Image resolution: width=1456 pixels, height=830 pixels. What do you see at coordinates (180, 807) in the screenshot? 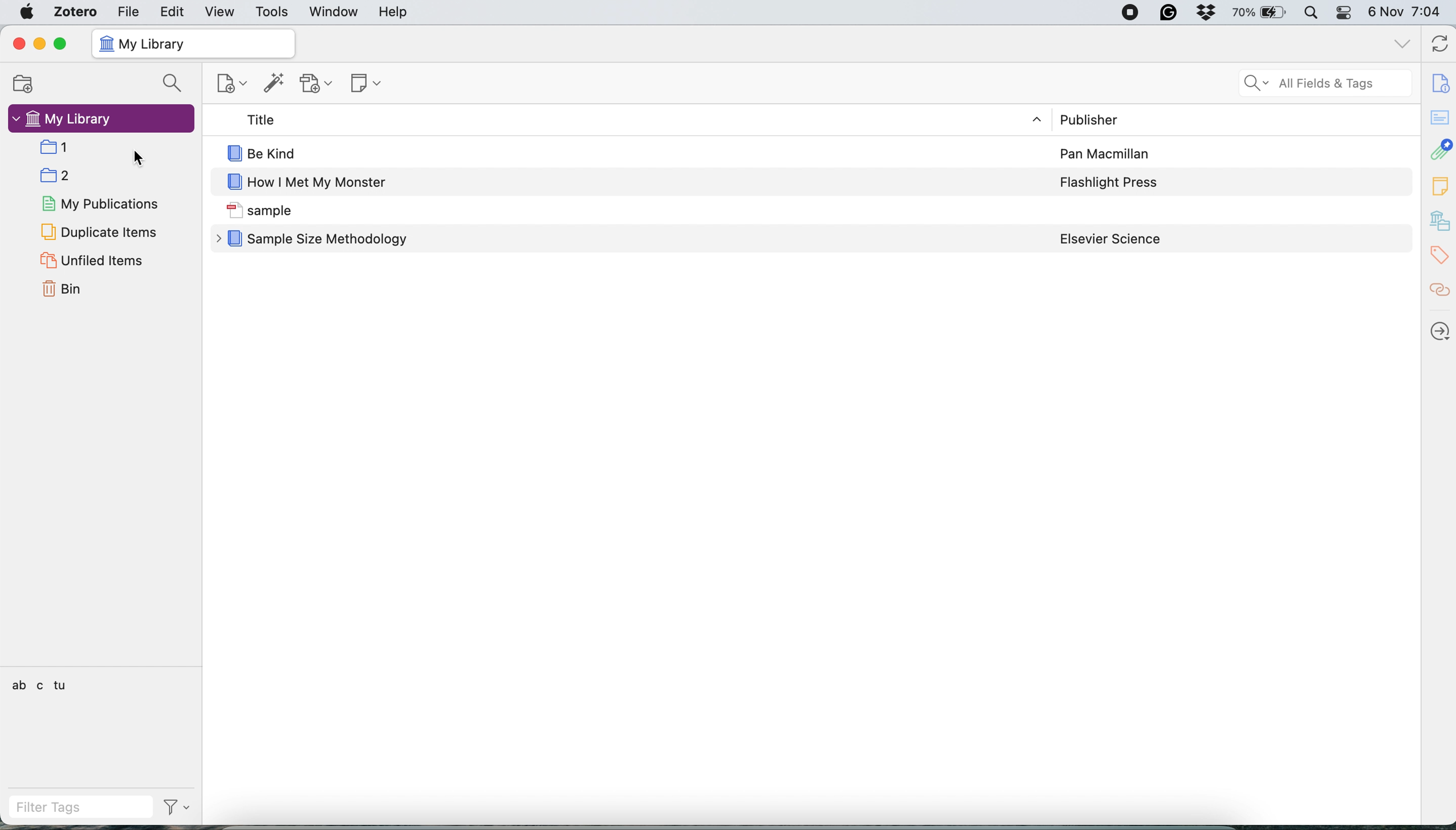
I see `filter tags drop down` at bounding box center [180, 807].